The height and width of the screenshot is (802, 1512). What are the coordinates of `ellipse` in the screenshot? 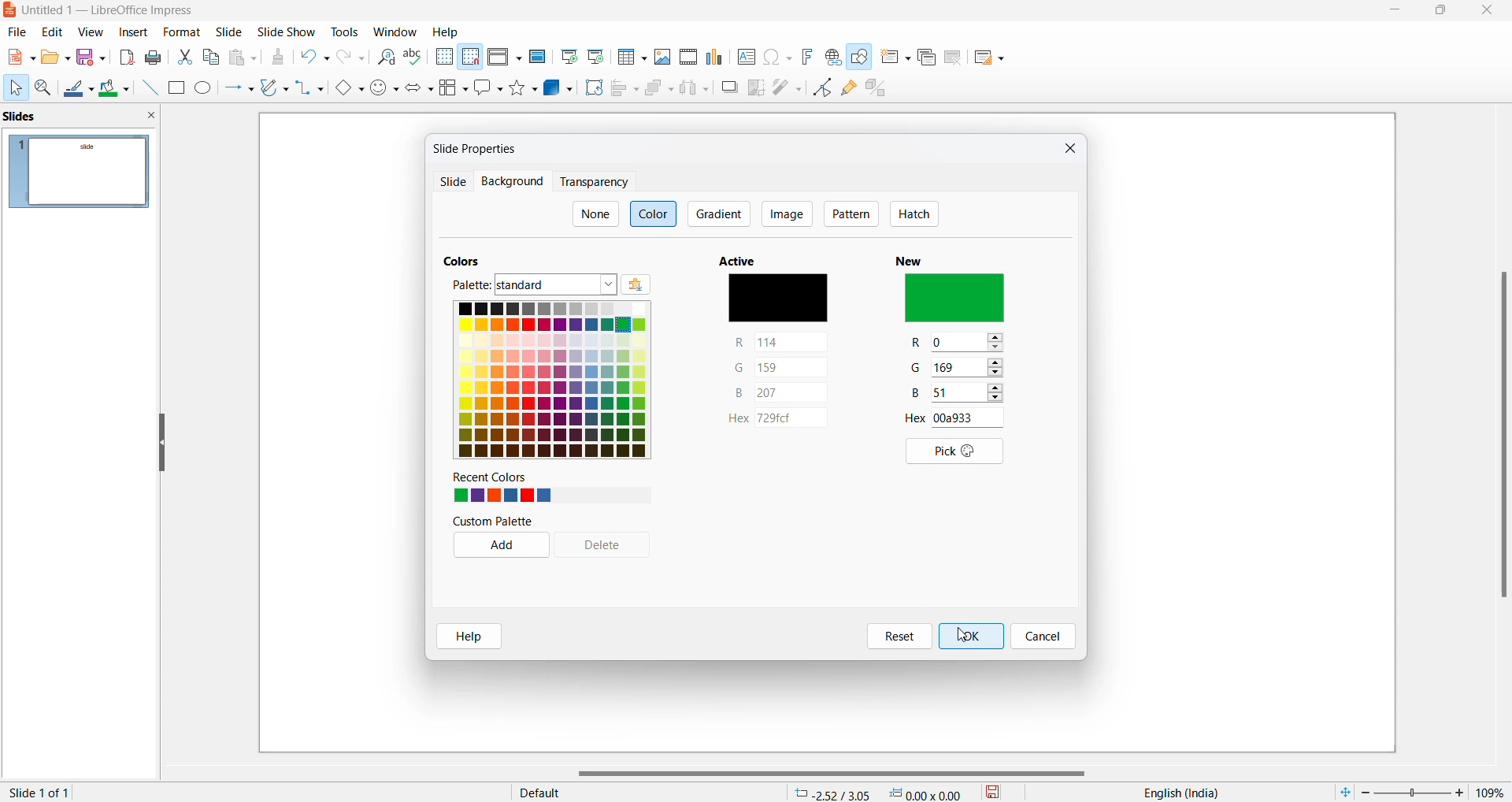 It's located at (205, 89).